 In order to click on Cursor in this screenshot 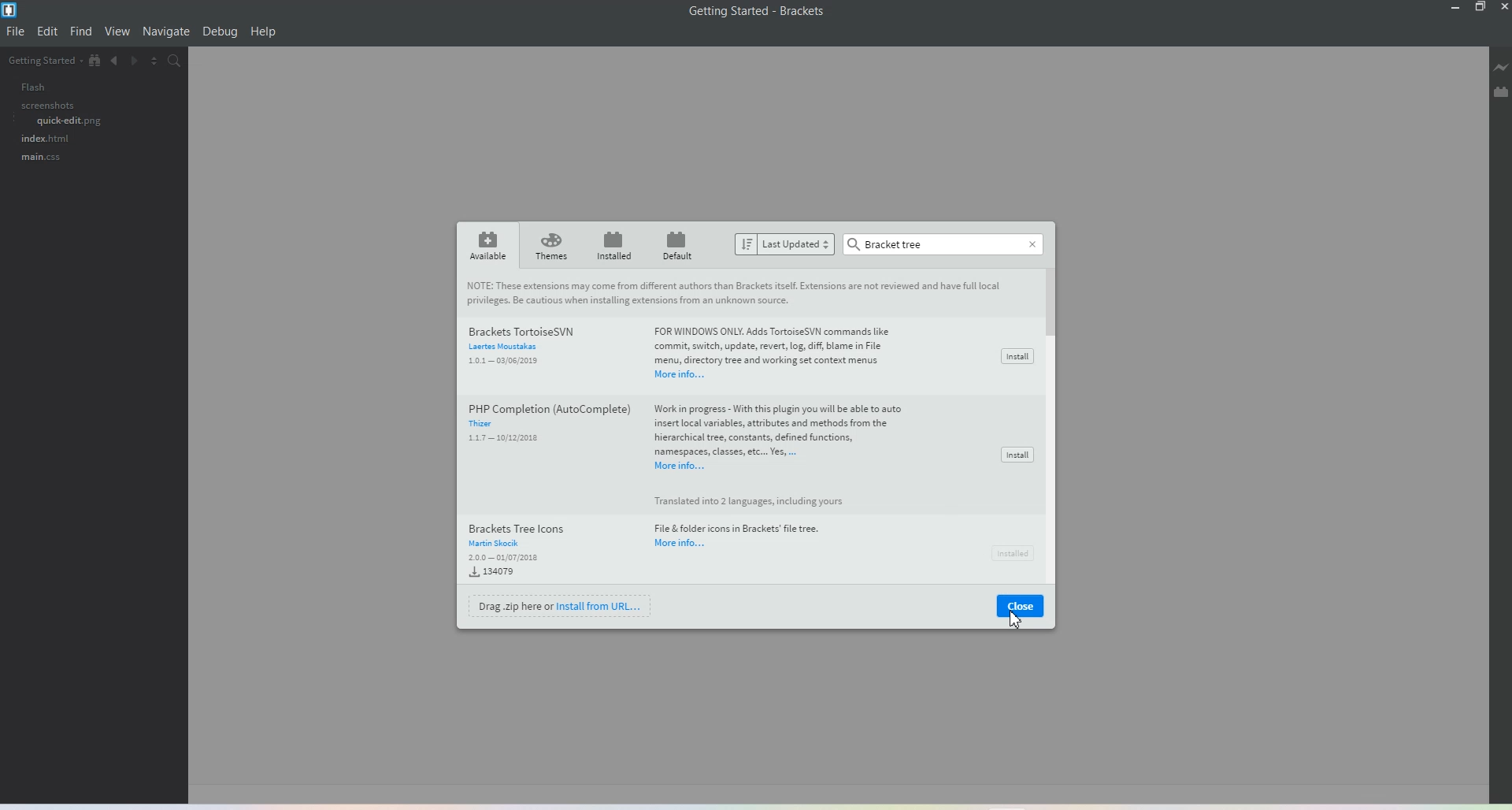, I will do `click(1014, 619)`.